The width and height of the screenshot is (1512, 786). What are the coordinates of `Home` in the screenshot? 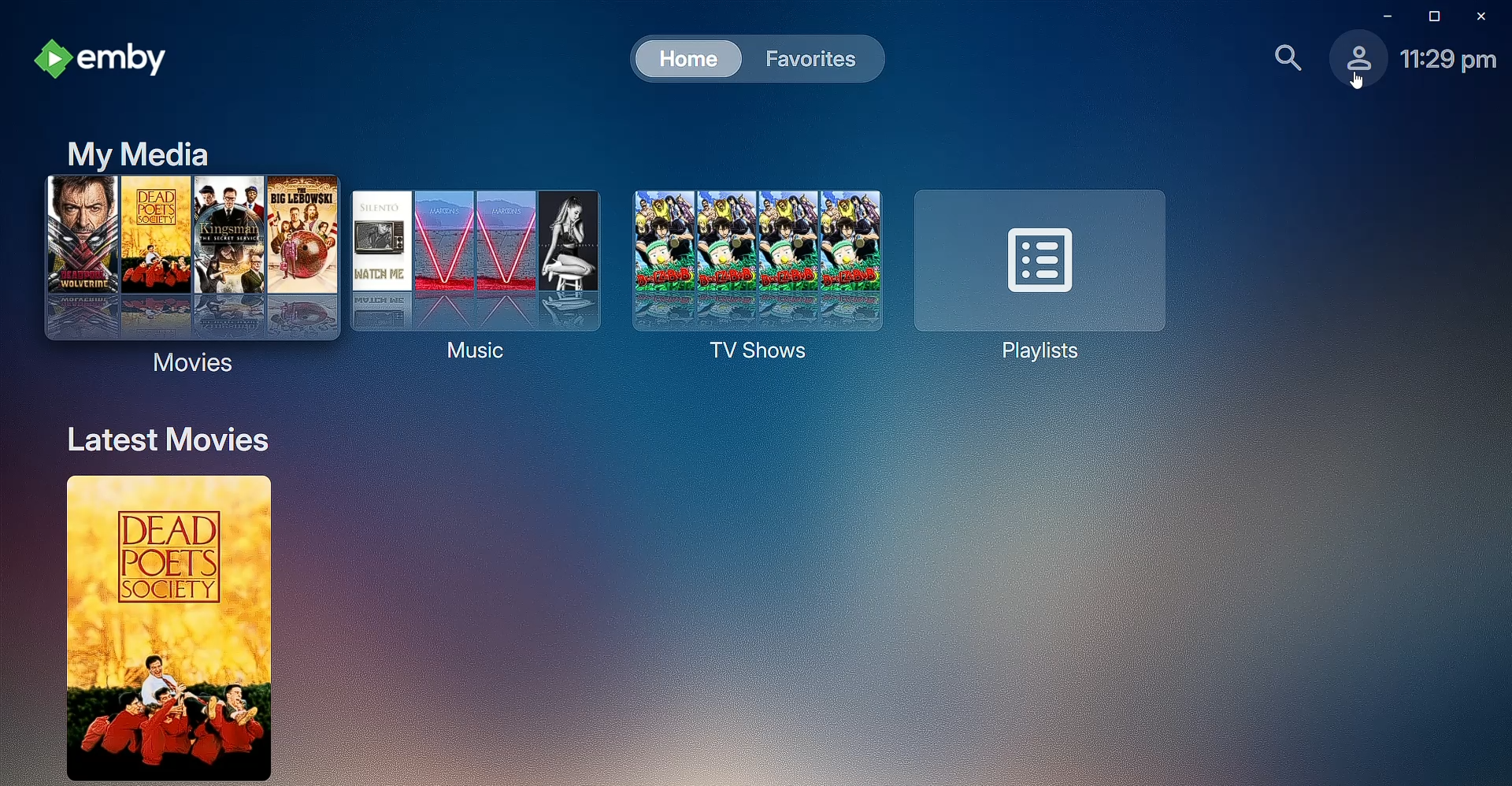 It's located at (685, 57).